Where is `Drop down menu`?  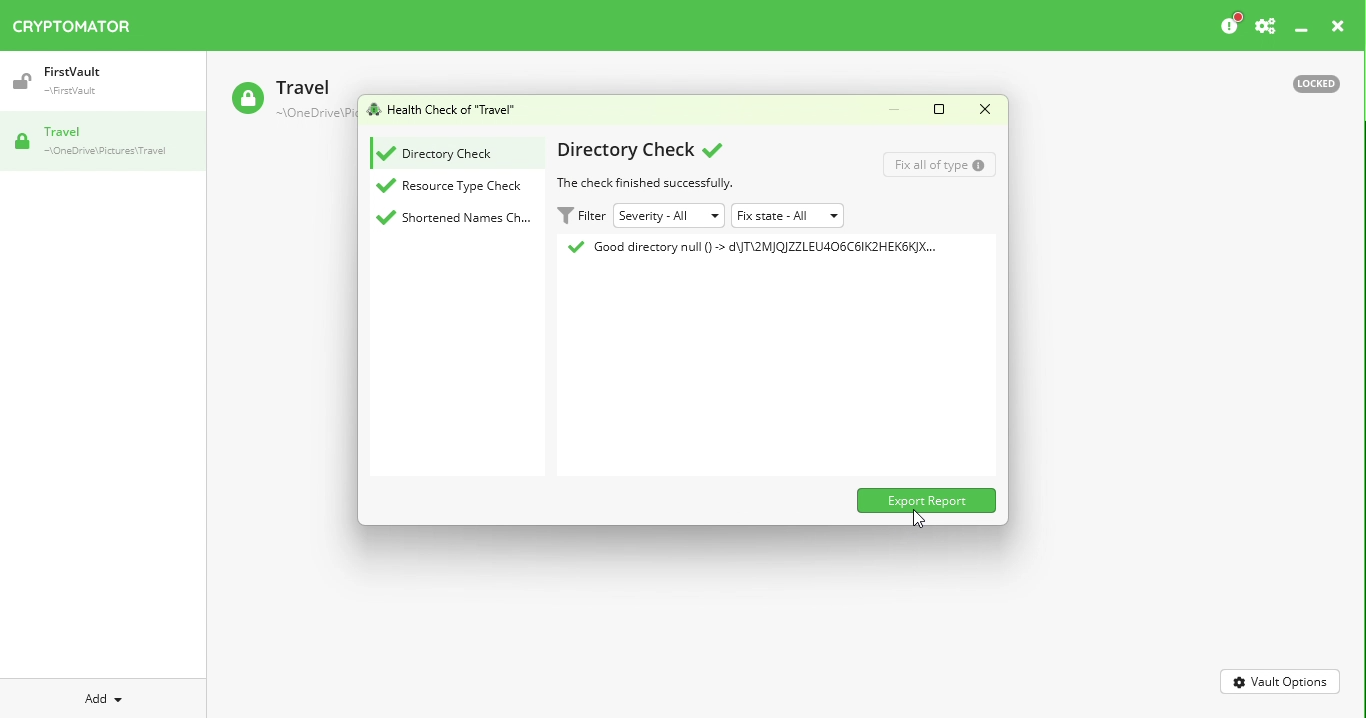
Drop down menu is located at coordinates (669, 216).